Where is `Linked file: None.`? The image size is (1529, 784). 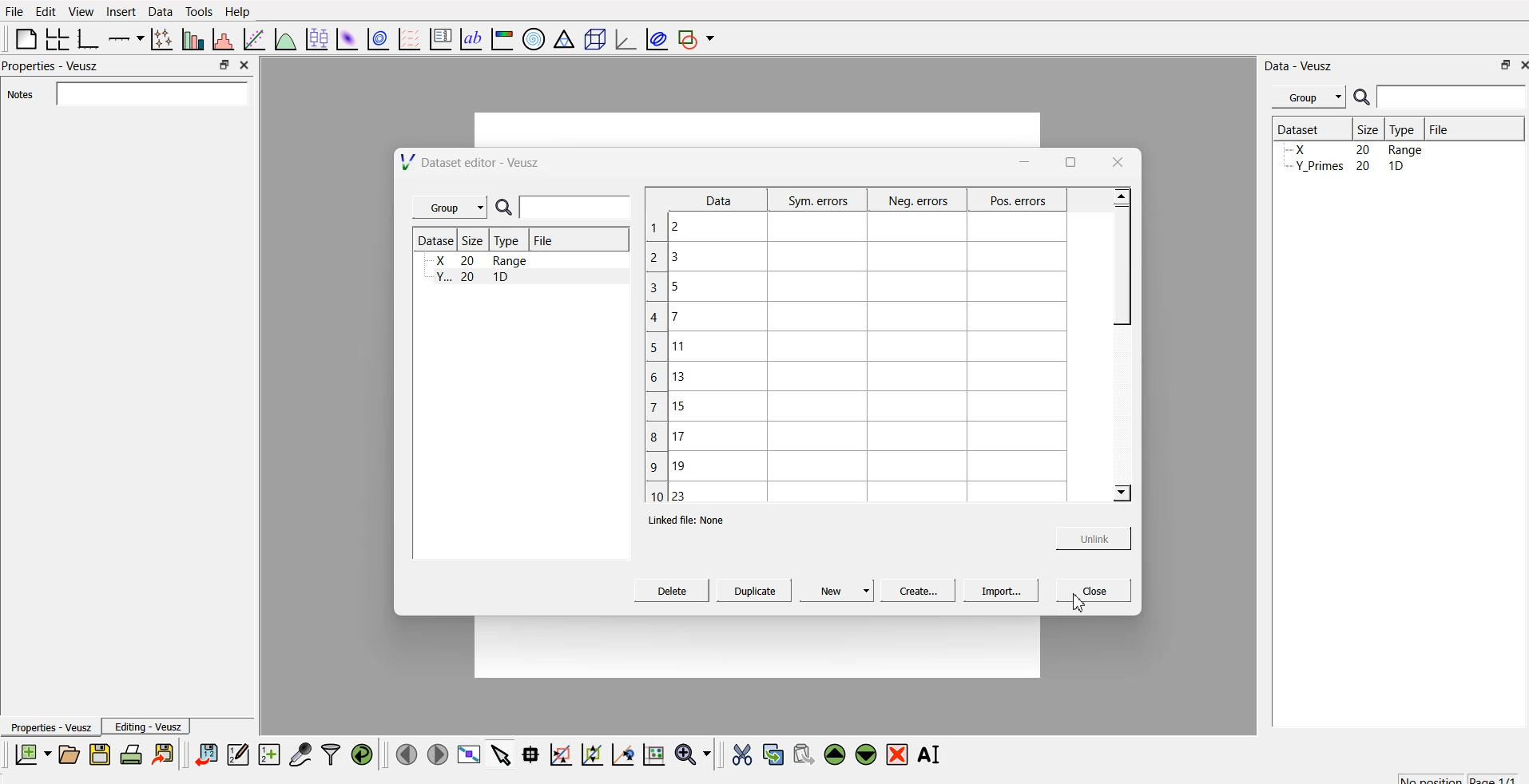 Linked file: None. is located at coordinates (693, 518).